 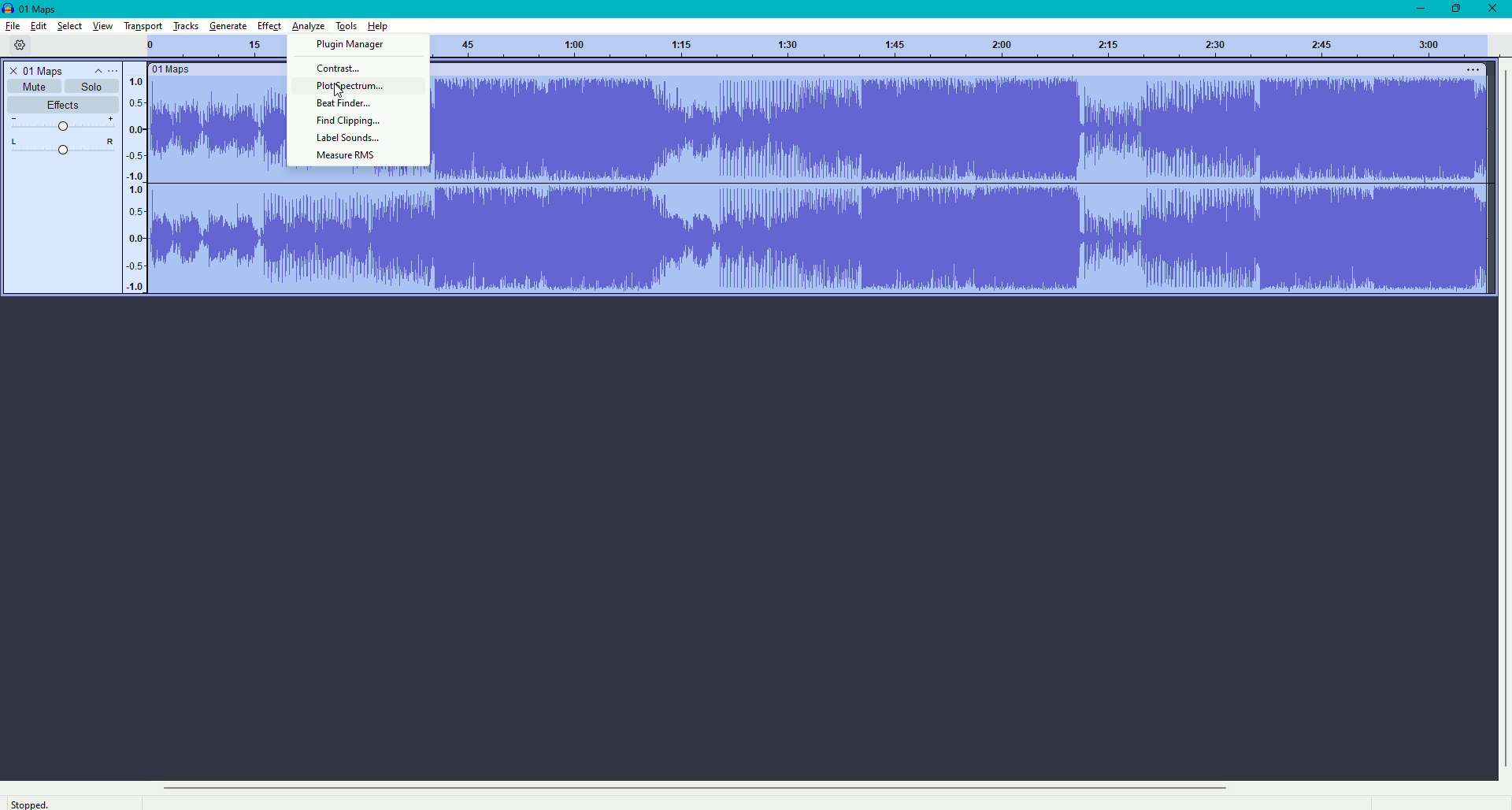 What do you see at coordinates (28, 802) in the screenshot?
I see `Stopped` at bounding box center [28, 802].